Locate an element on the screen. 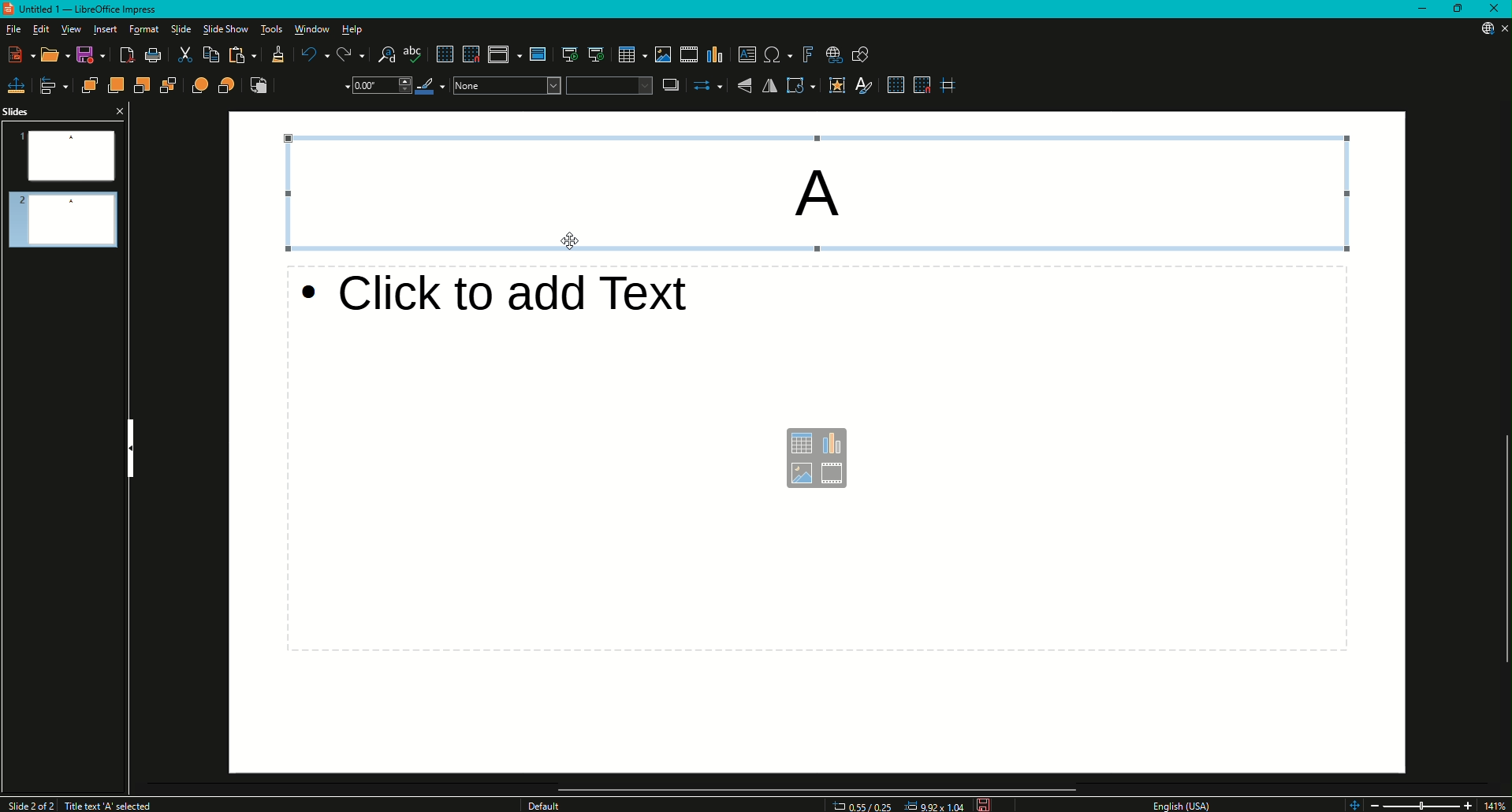 The height and width of the screenshot is (812, 1512). Window is located at coordinates (313, 28).